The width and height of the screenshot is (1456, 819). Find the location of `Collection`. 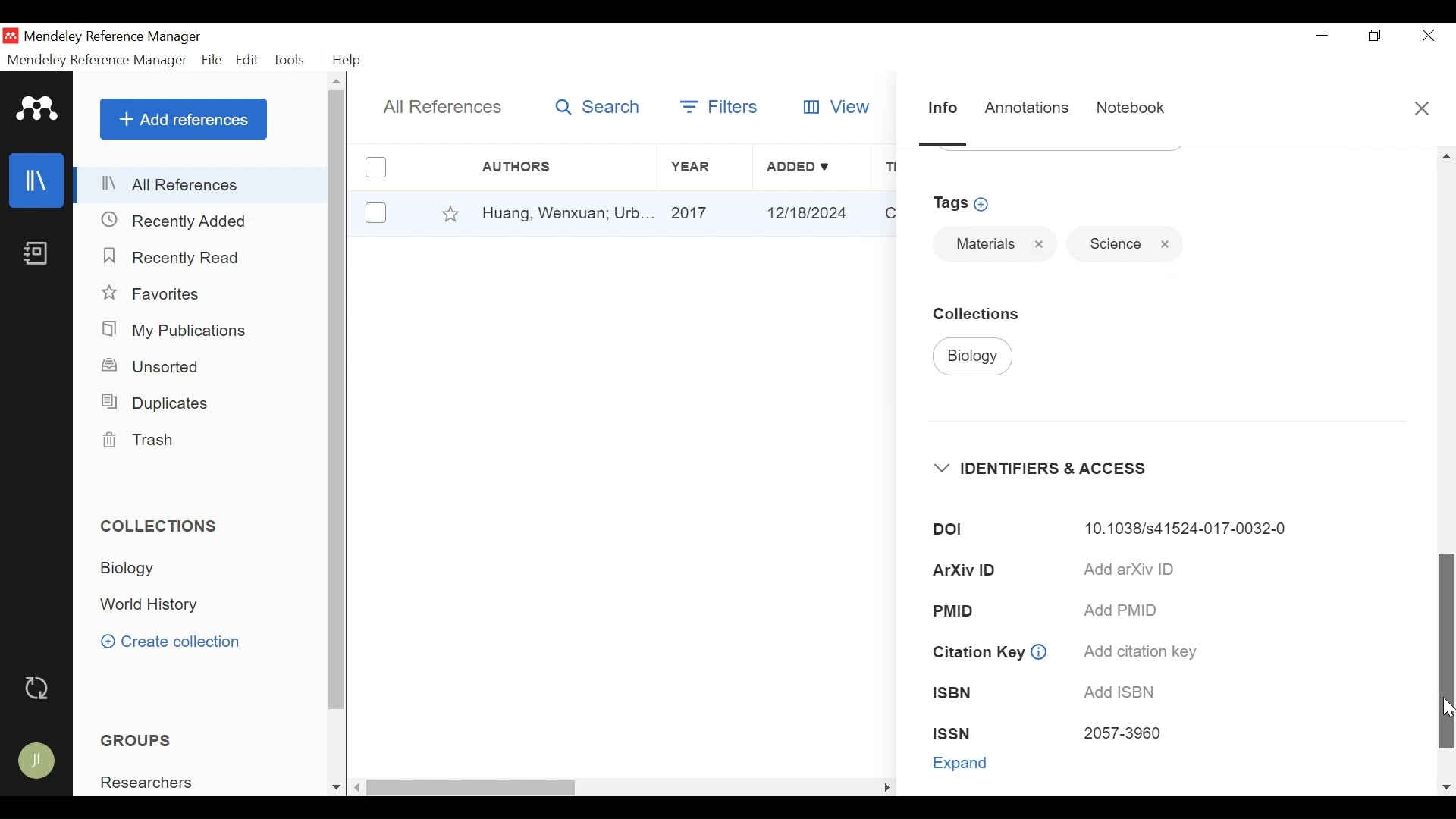

Collection is located at coordinates (157, 605).